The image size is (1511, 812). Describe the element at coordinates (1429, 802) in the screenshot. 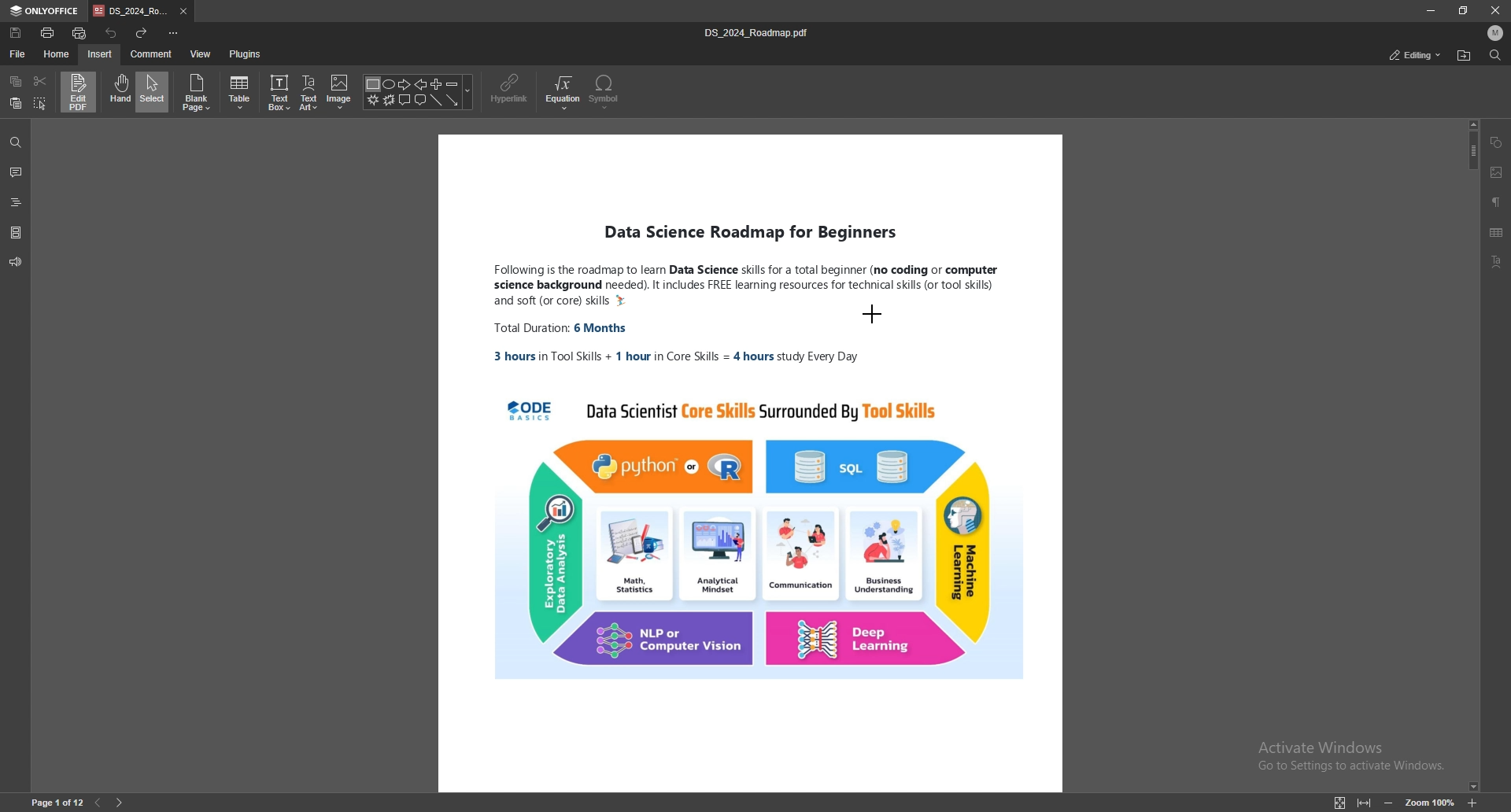

I see `zoom` at that location.